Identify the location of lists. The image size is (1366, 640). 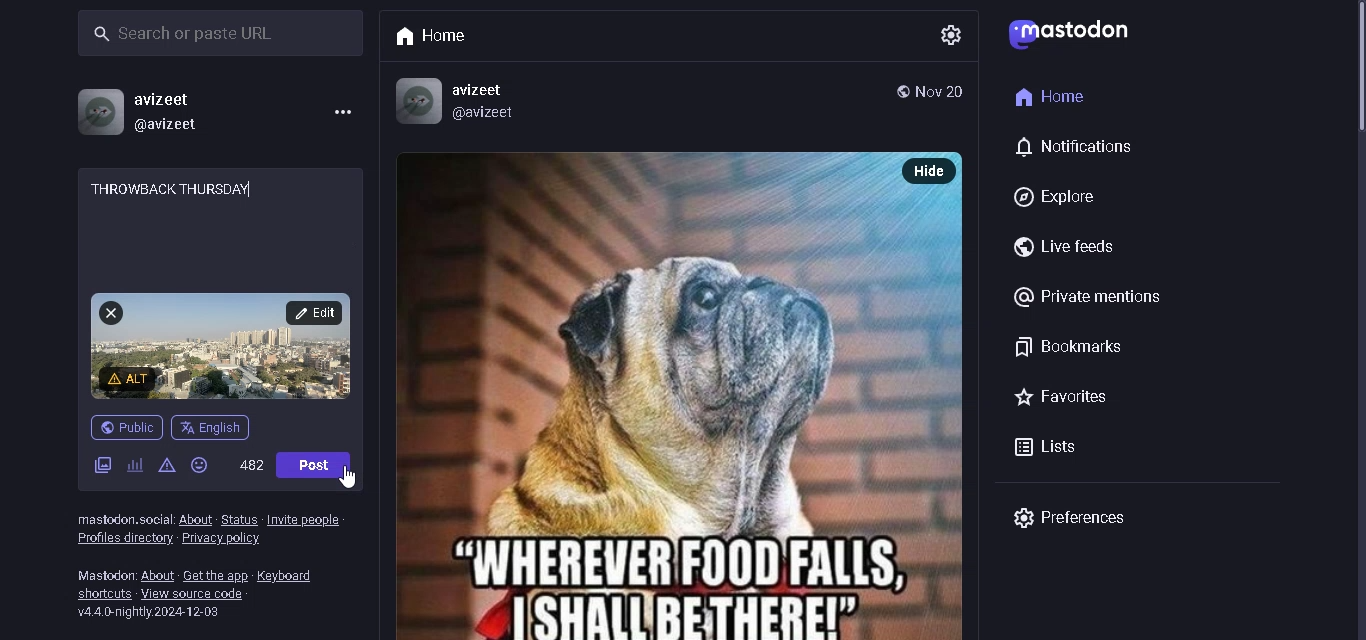
(1061, 449).